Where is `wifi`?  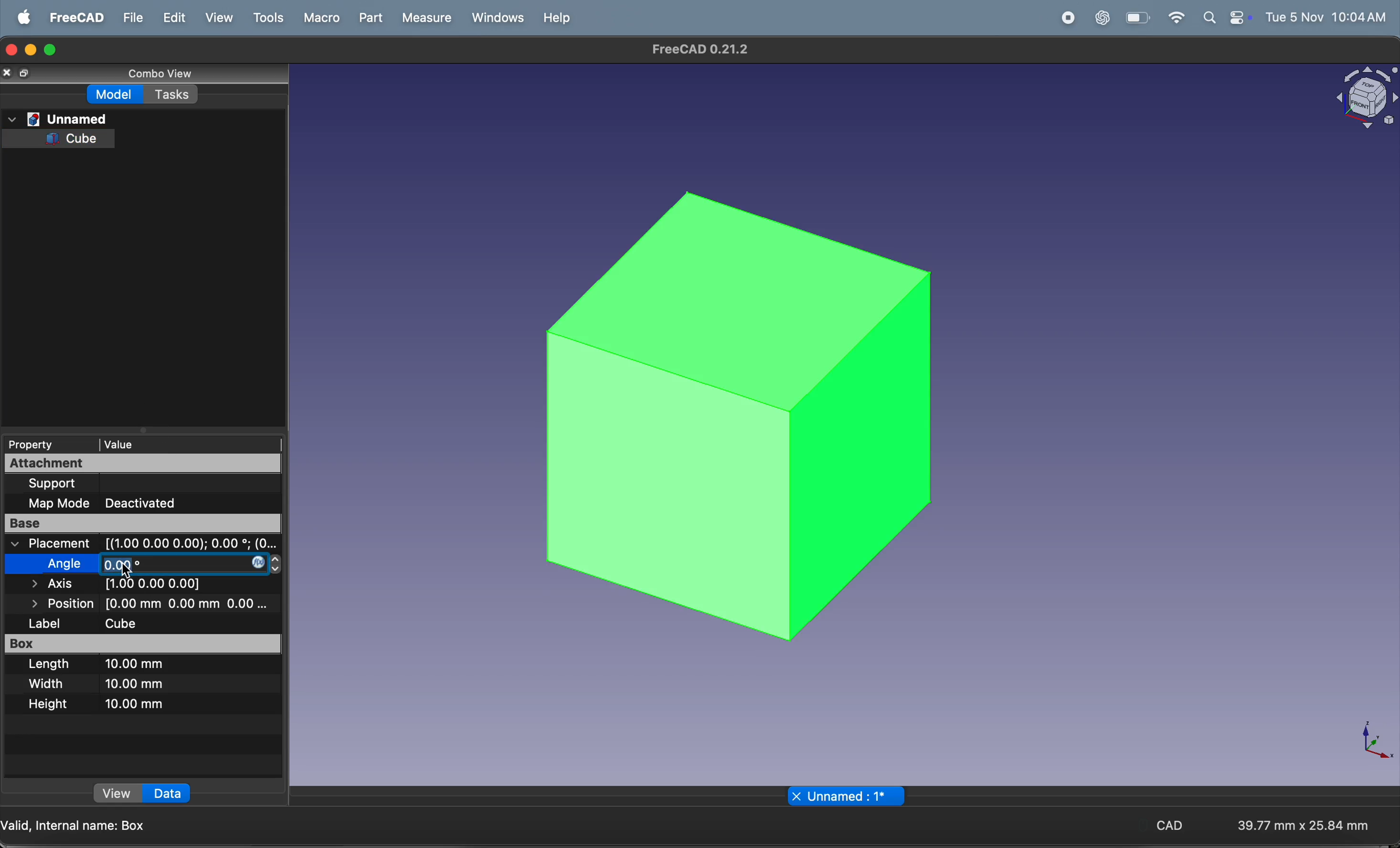
wifi is located at coordinates (1137, 16).